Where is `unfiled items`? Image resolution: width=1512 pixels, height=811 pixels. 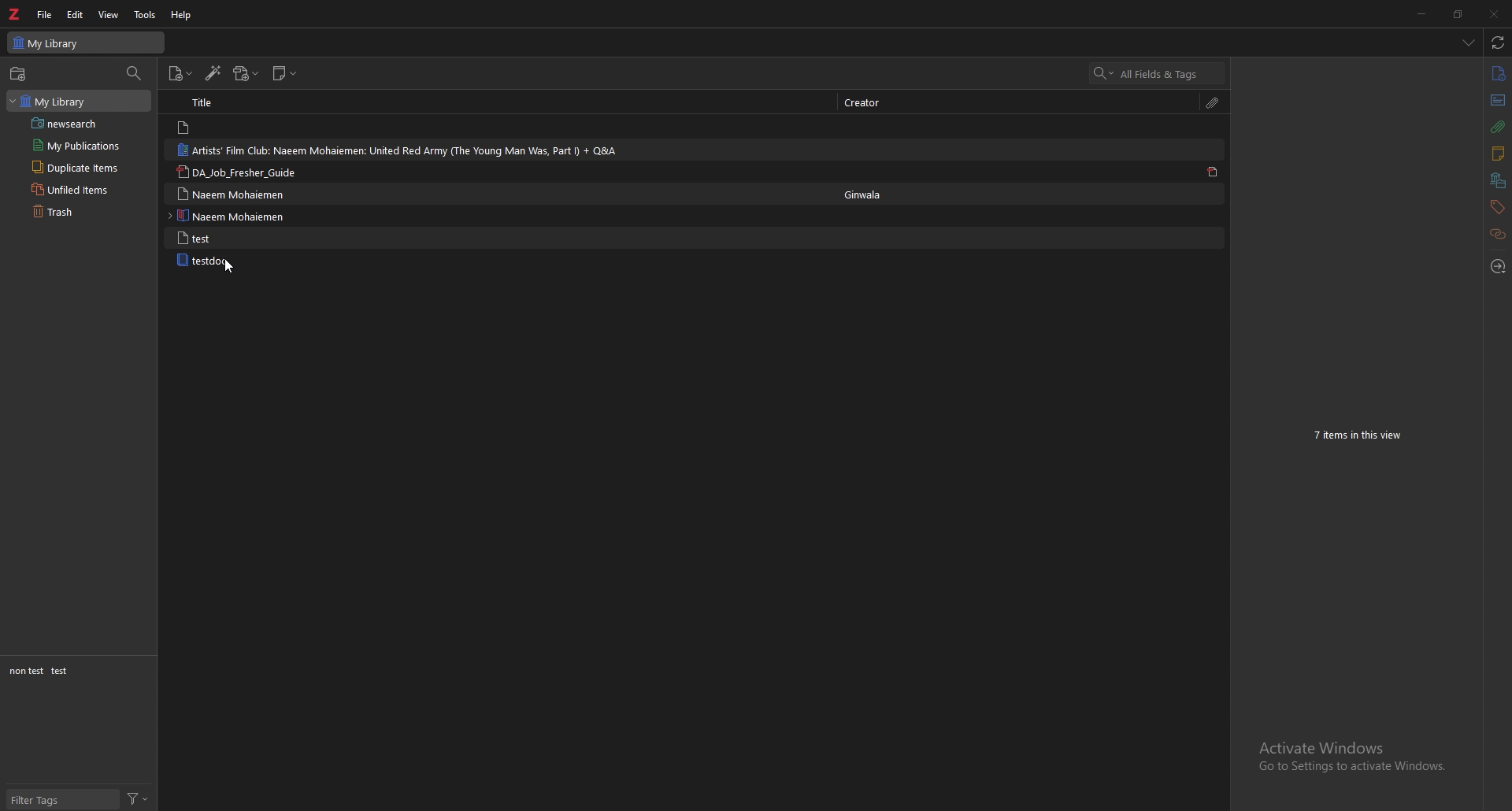 unfiled items is located at coordinates (81, 190).